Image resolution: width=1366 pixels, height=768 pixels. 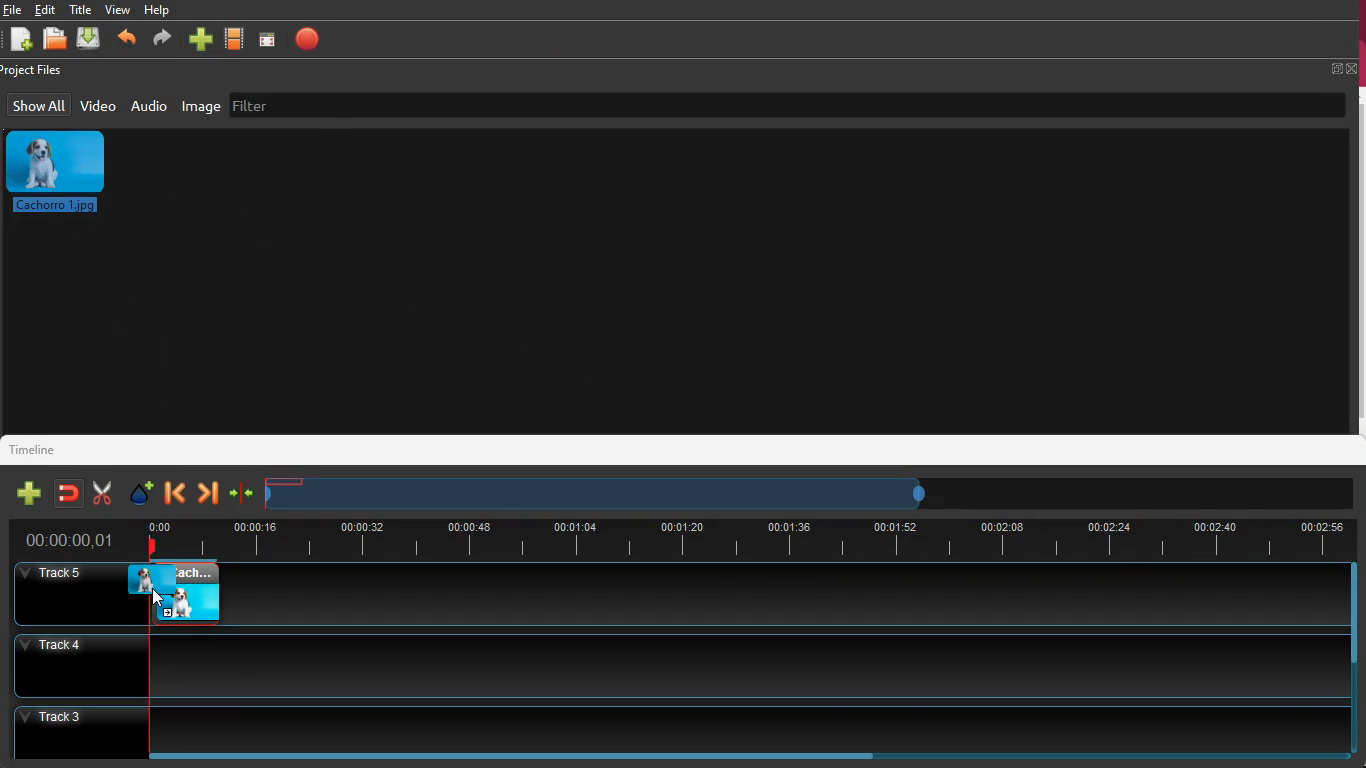 What do you see at coordinates (743, 540) in the screenshot?
I see `time` at bounding box center [743, 540].